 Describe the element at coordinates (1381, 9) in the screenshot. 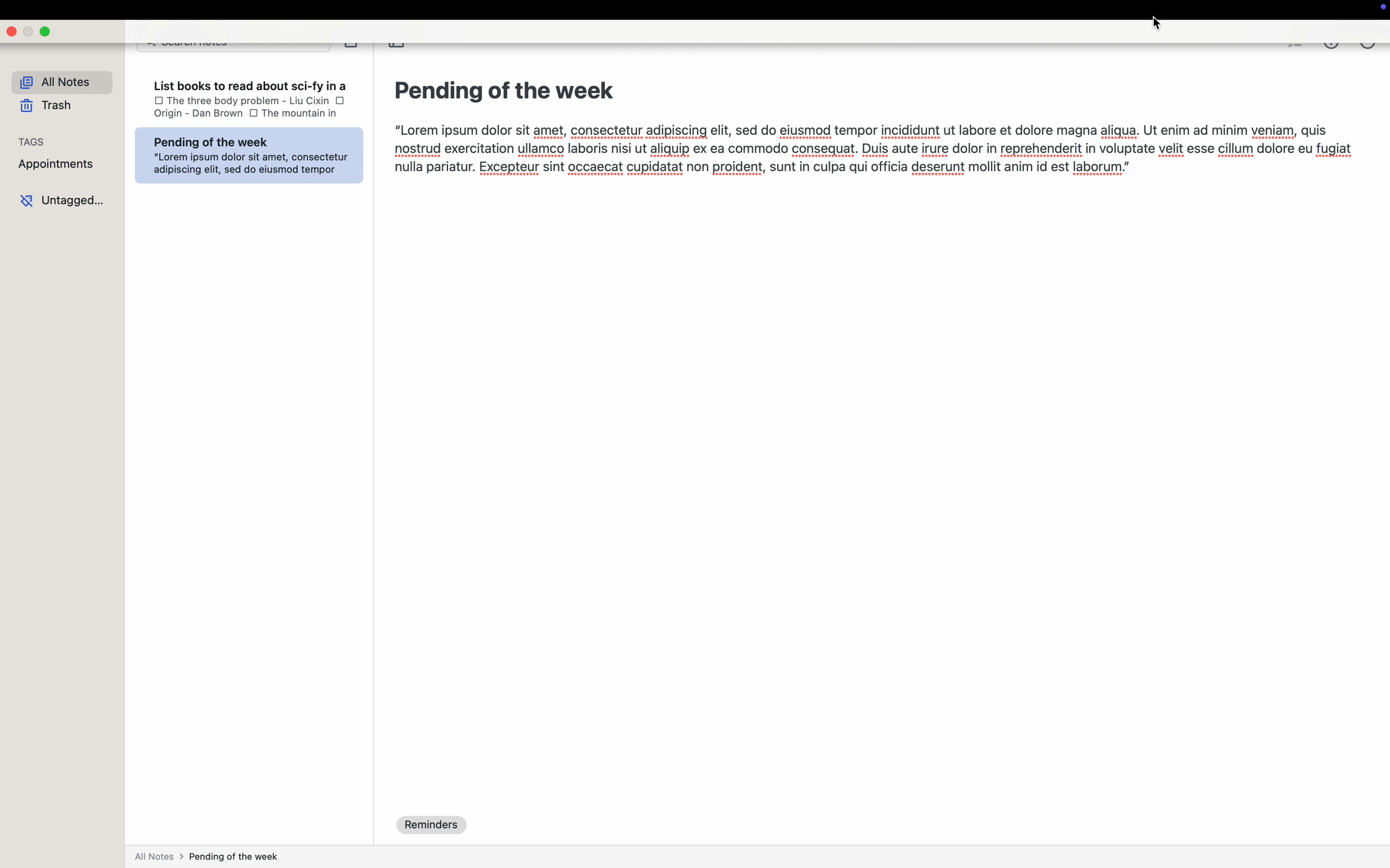

I see `recoding` at that location.